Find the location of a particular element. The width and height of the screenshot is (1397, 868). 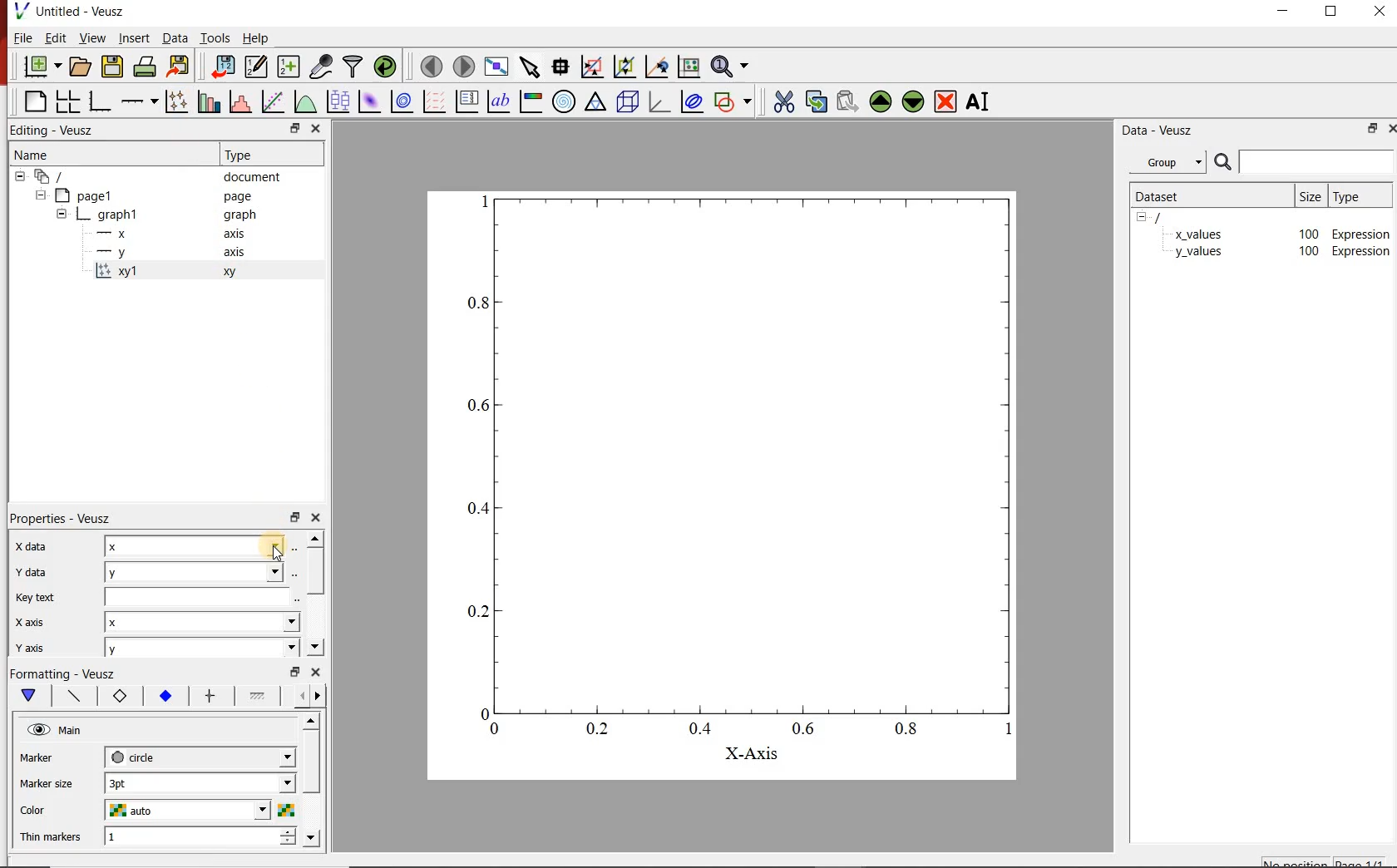

vertical scrollbar is located at coordinates (316, 571).